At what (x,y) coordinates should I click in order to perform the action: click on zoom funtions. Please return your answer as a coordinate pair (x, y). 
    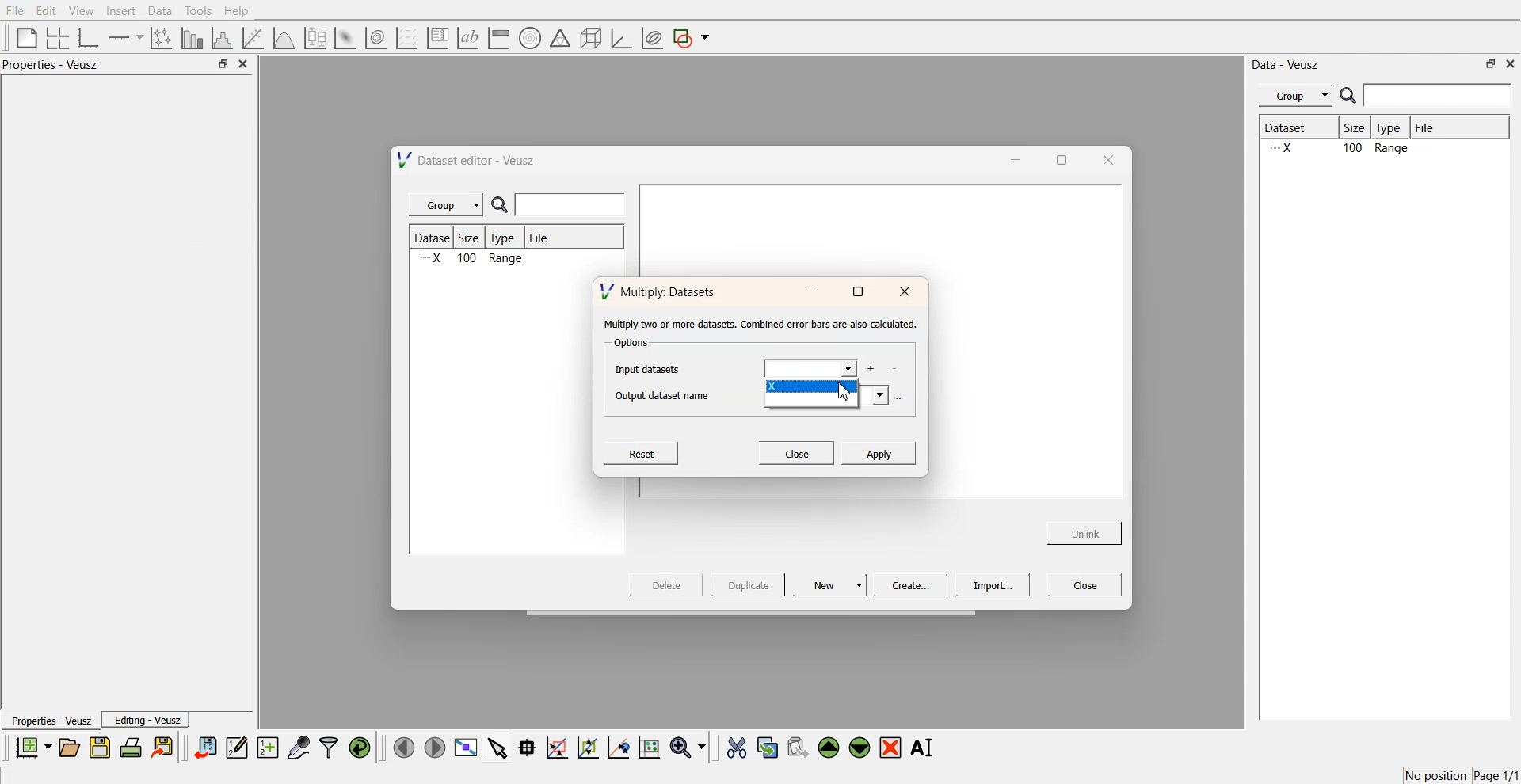
    Looking at the image, I should click on (688, 748).